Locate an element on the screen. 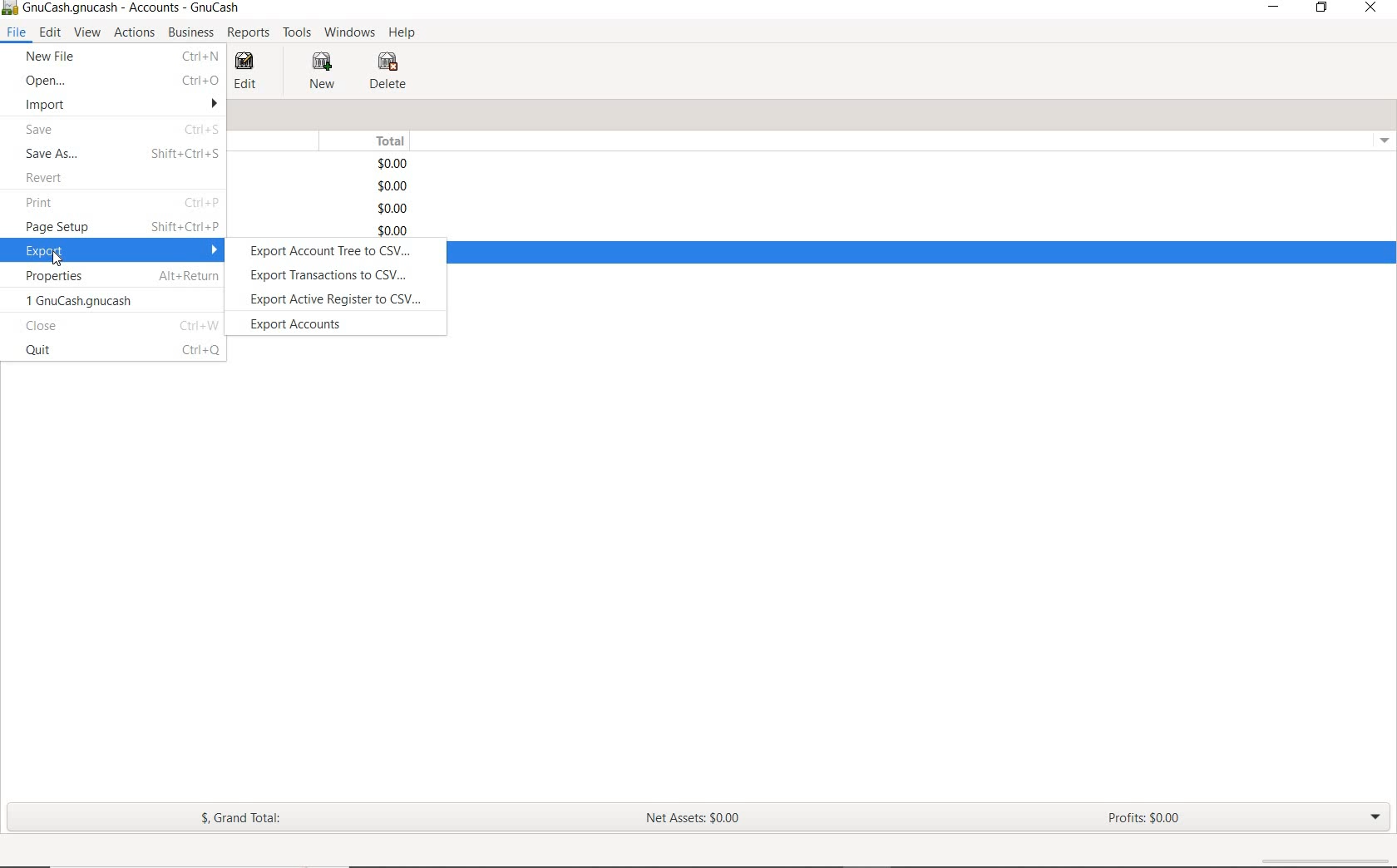 The image size is (1397, 868). Ctrl+O is located at coordinates (200, 81).